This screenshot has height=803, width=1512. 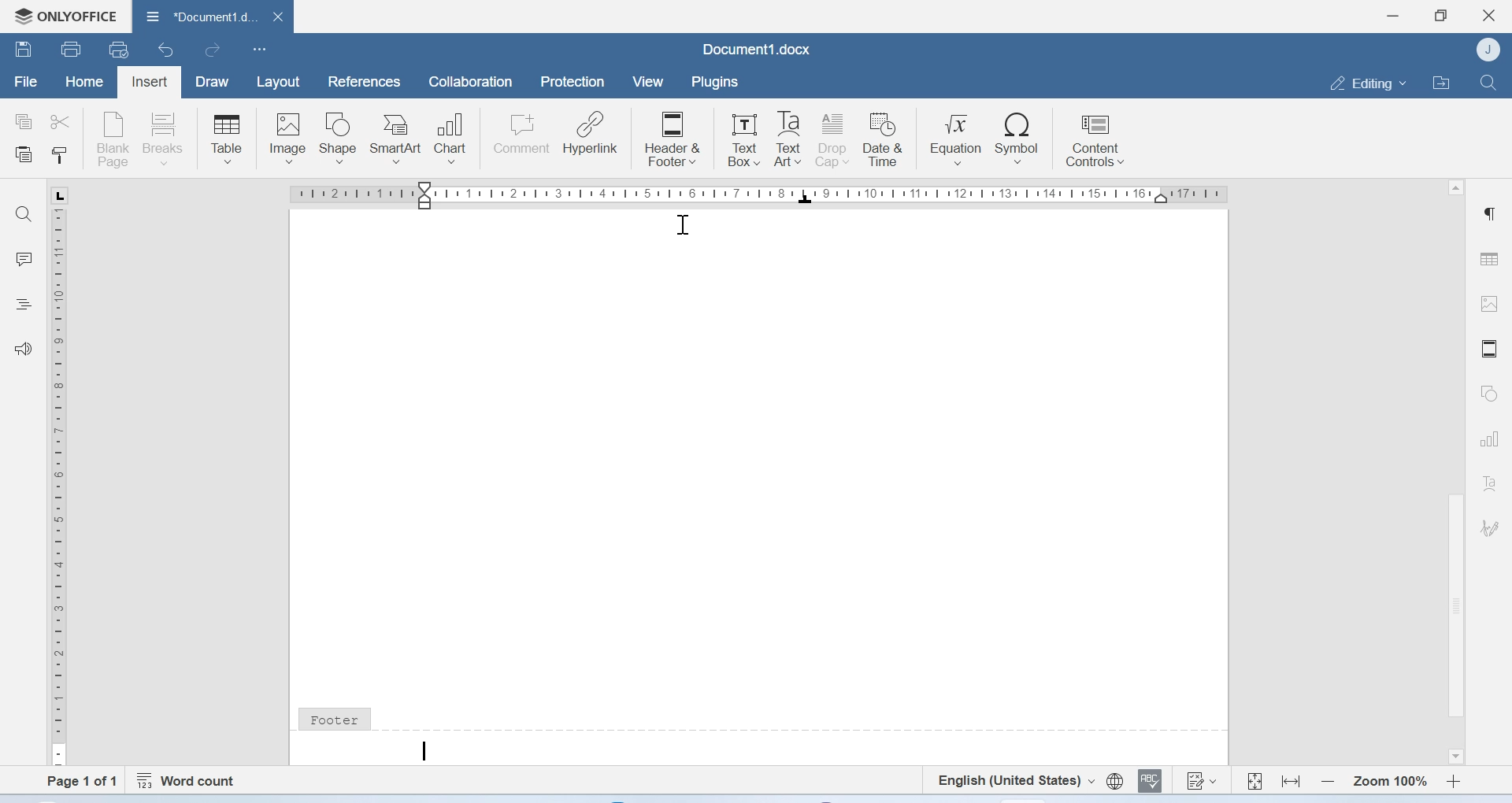 I want to click on Save, so click(x=24, y=51).